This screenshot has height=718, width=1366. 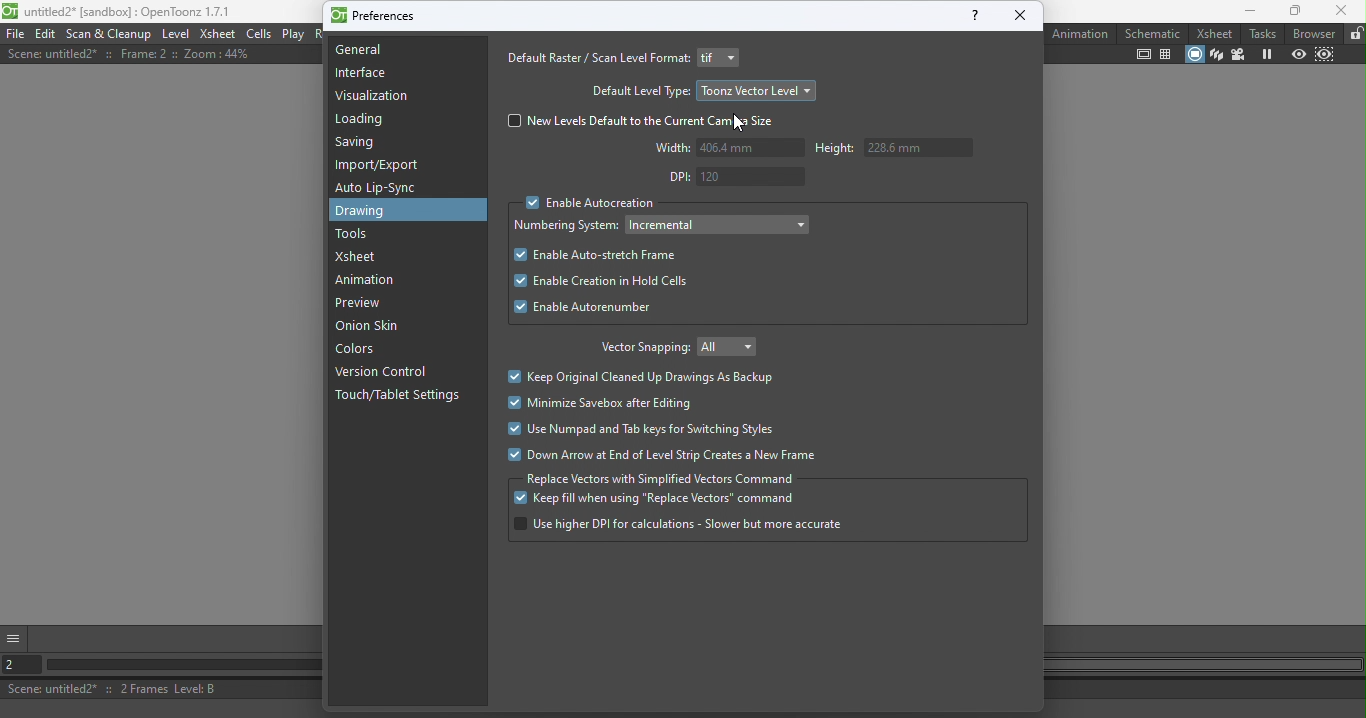 I want to click on Animation, so click(x=369, y=280).